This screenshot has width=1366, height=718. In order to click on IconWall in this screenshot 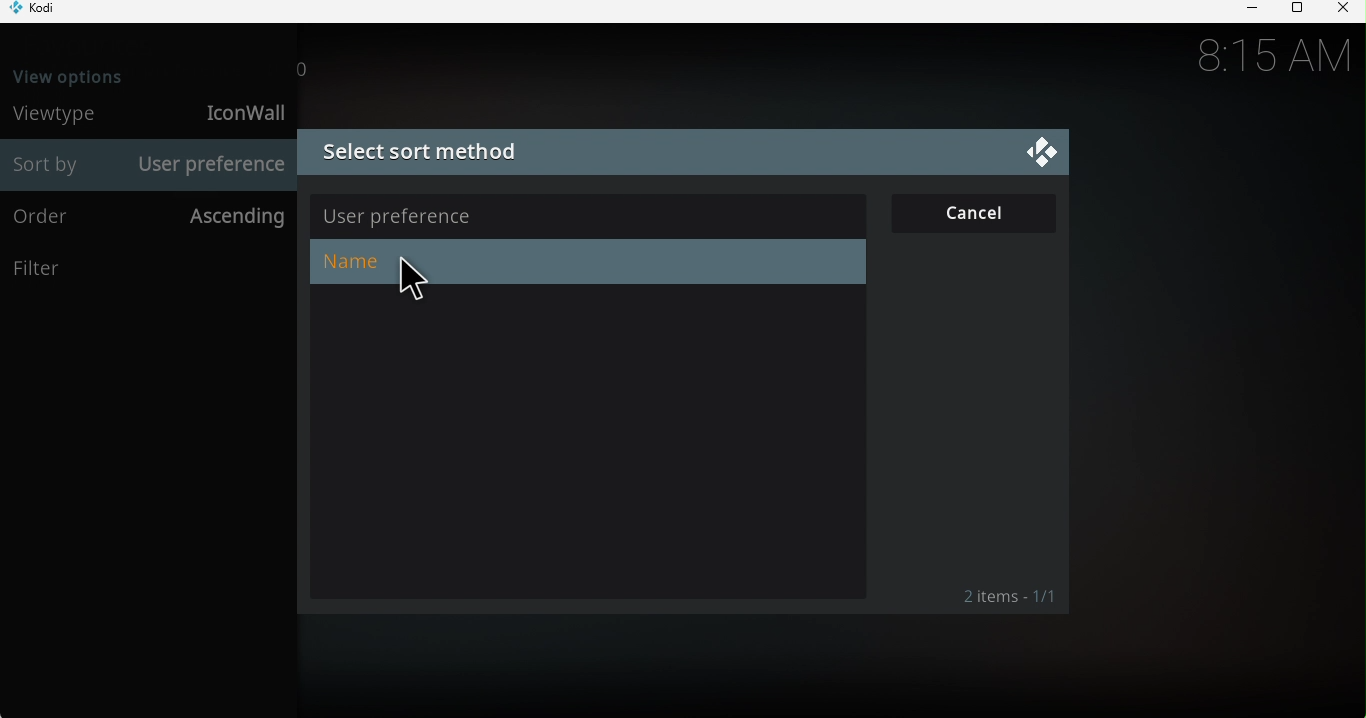, I will do `click(241, 112)`.